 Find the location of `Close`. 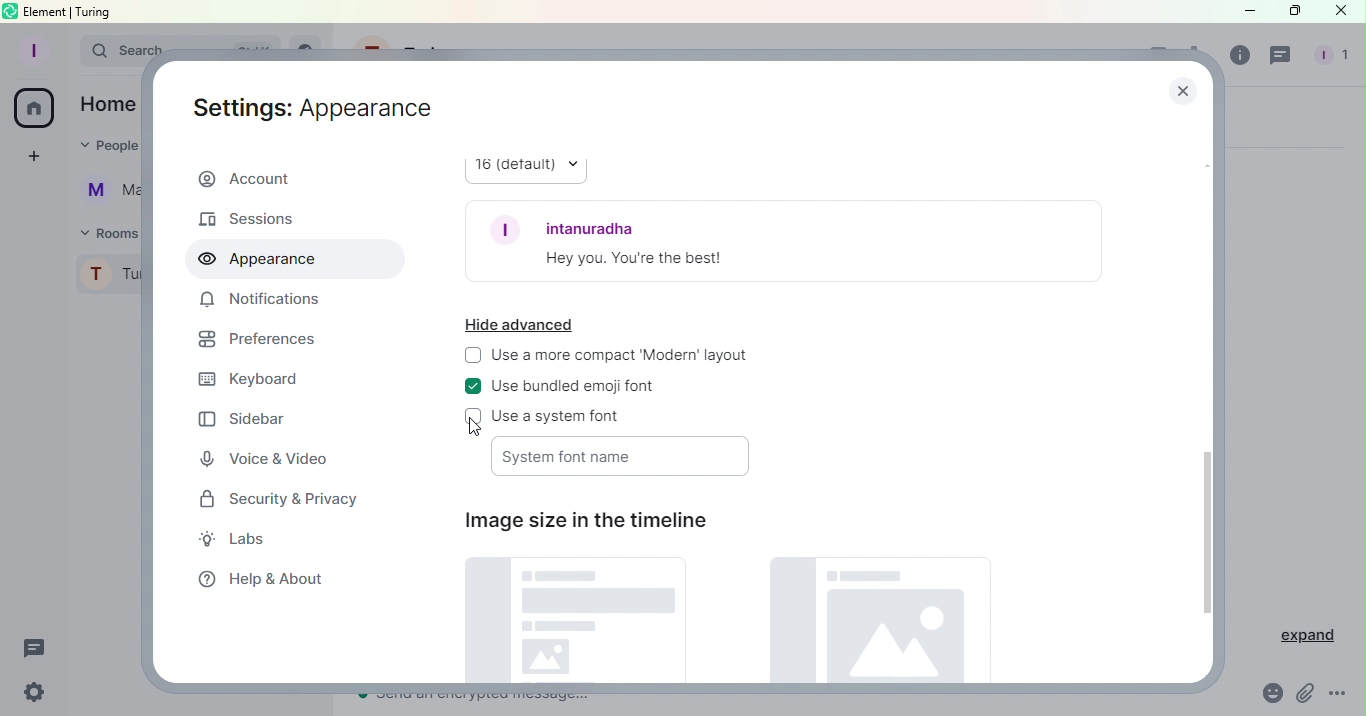

Close is located at coordinates (1176, 89).